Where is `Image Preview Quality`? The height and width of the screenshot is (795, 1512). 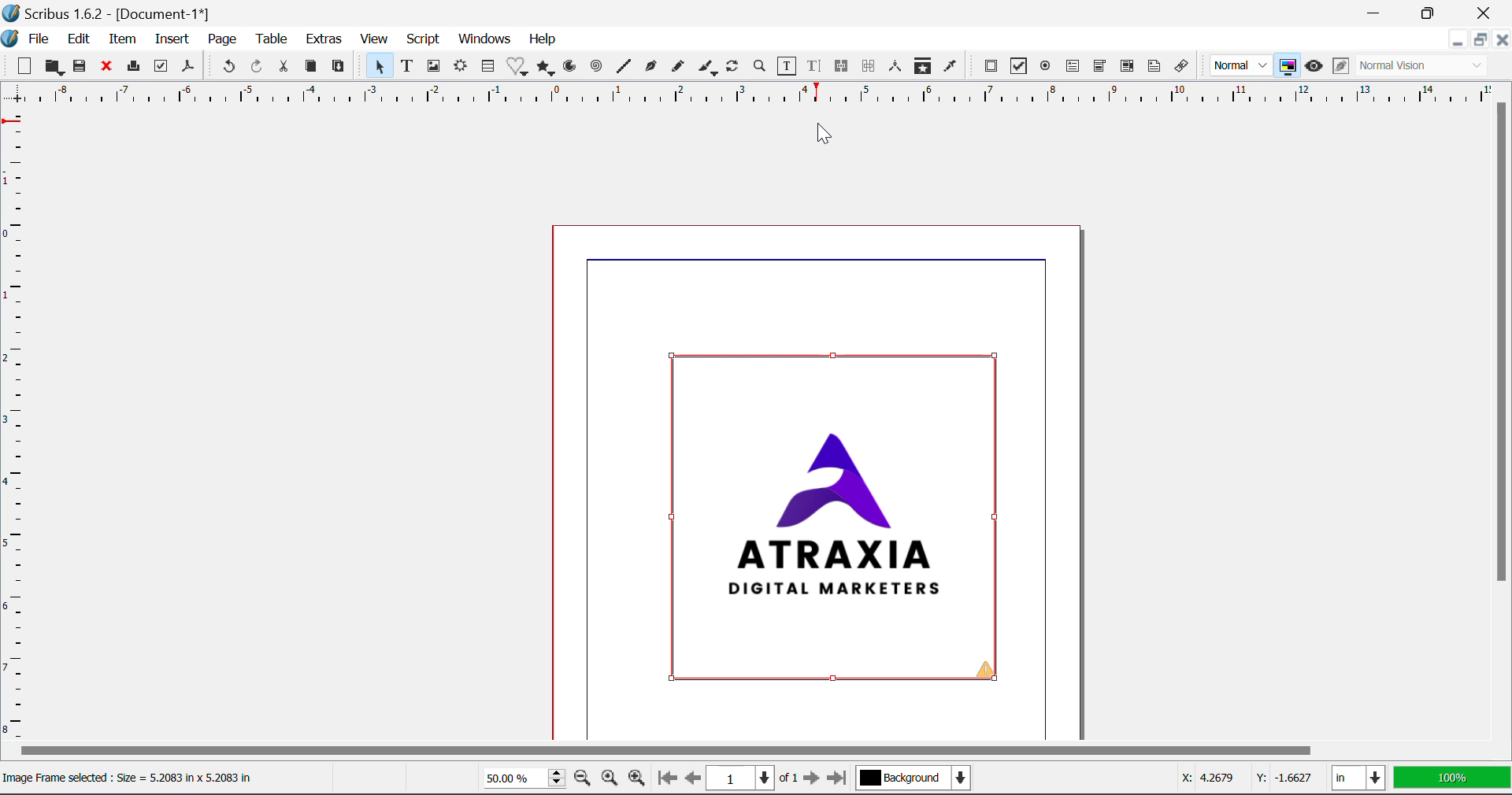
Image Preview Quality is located at coordinates (1241, 66).